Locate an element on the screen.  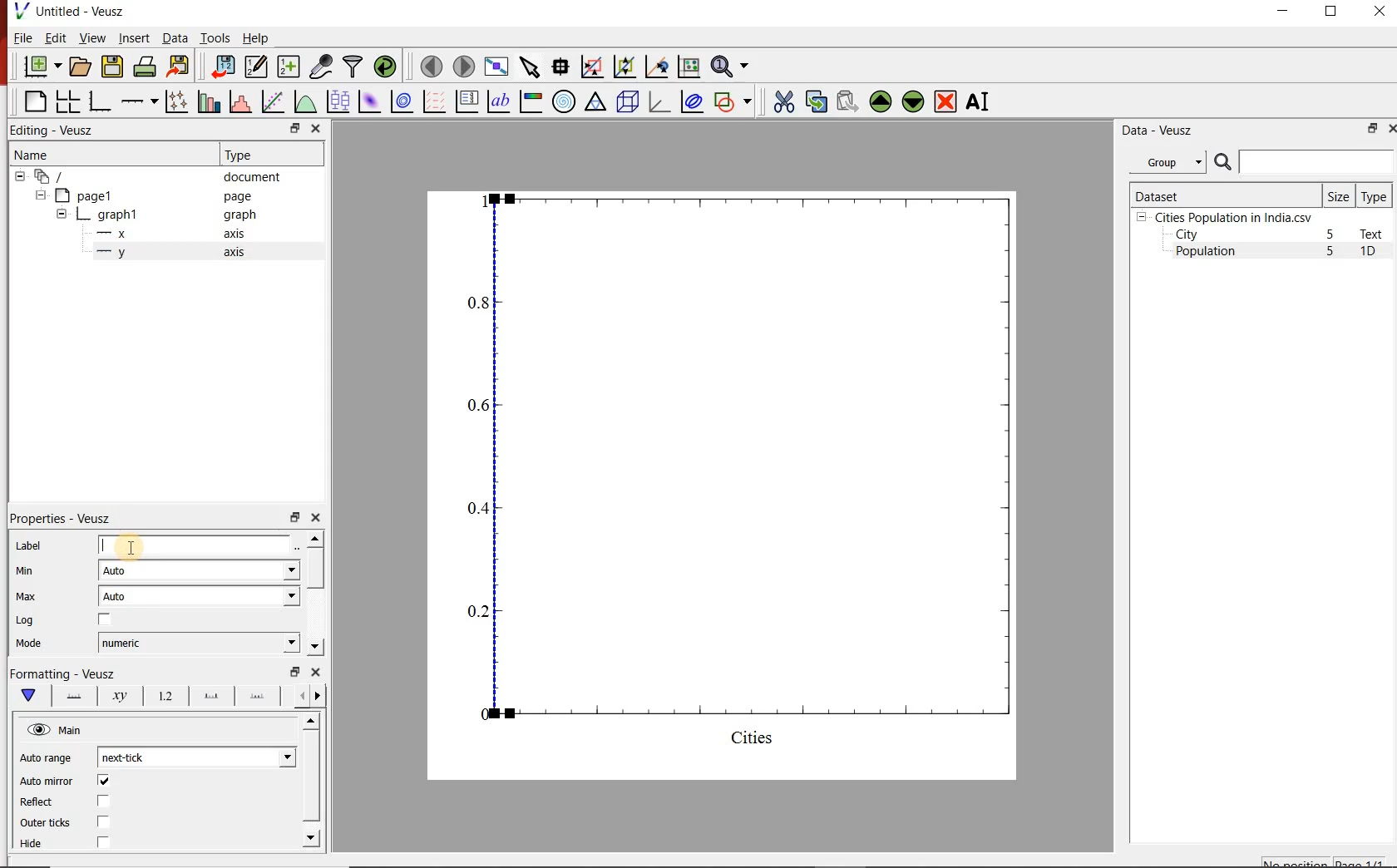
new document is located at coordinates (39, 67).